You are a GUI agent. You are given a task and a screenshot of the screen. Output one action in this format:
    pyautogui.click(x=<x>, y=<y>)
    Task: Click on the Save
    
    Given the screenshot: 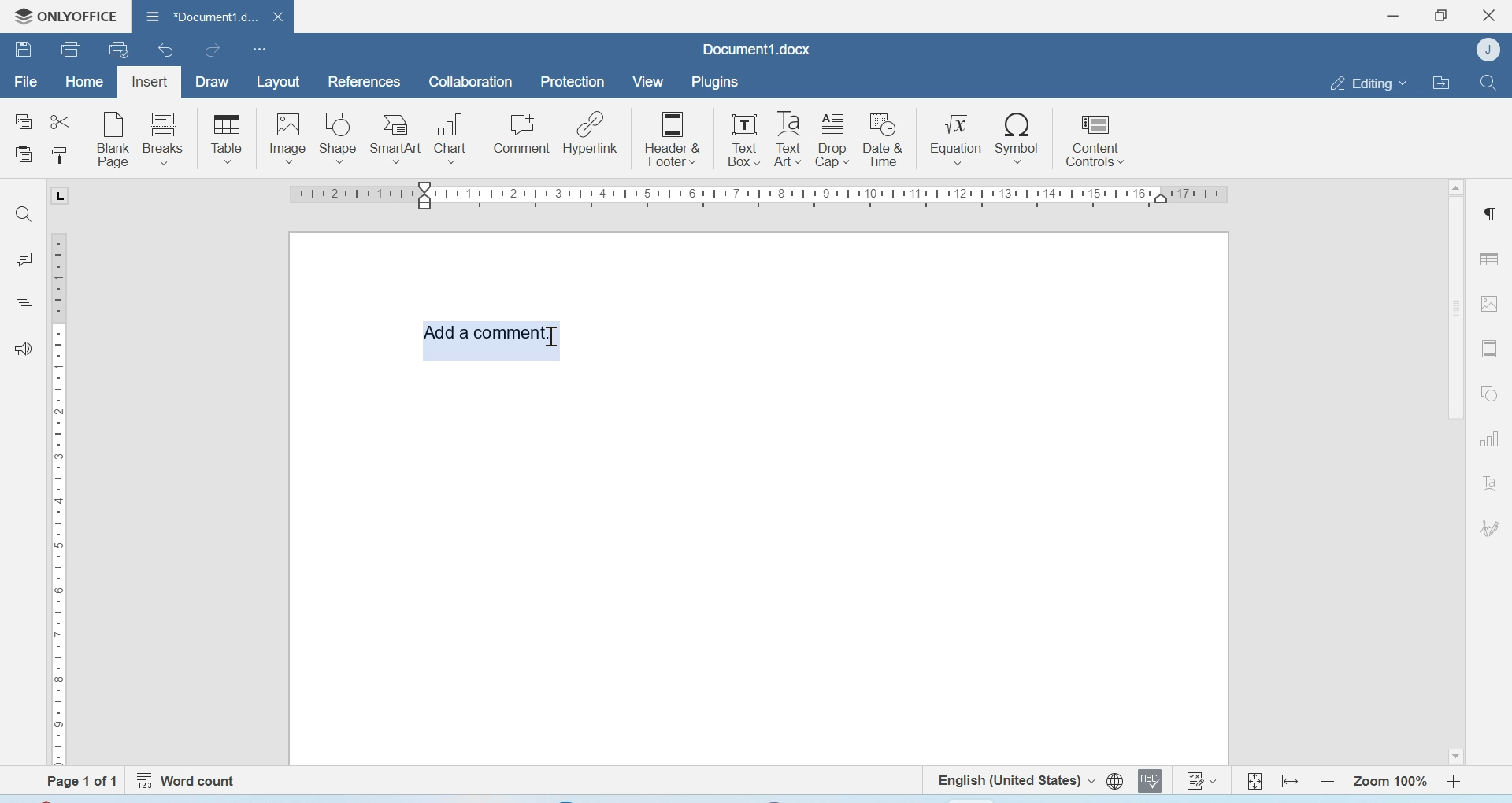 What is the action you would take?
    pyautogui.click(x=23, y=48)
    